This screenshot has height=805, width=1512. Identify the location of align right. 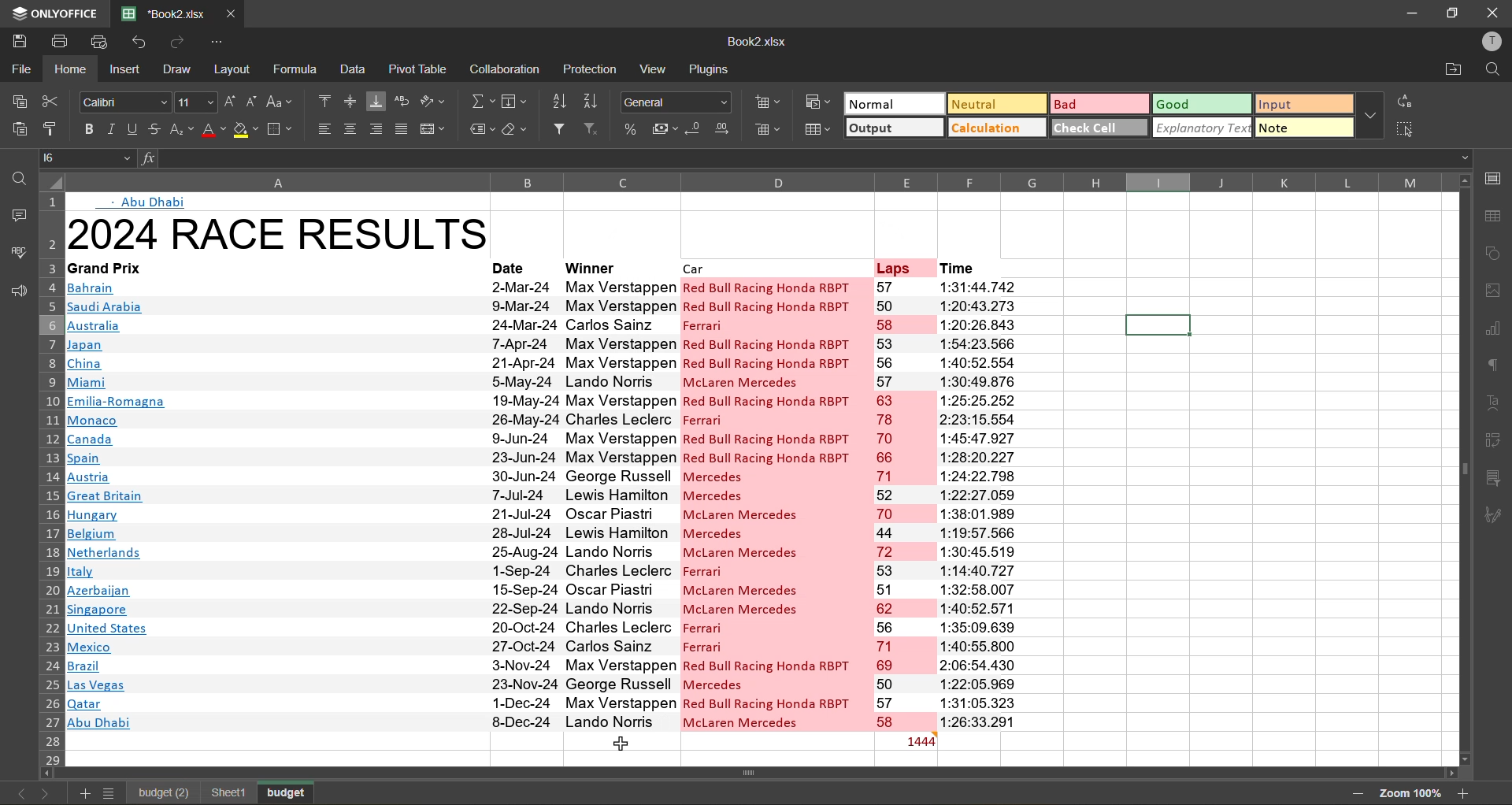
(379, 129).